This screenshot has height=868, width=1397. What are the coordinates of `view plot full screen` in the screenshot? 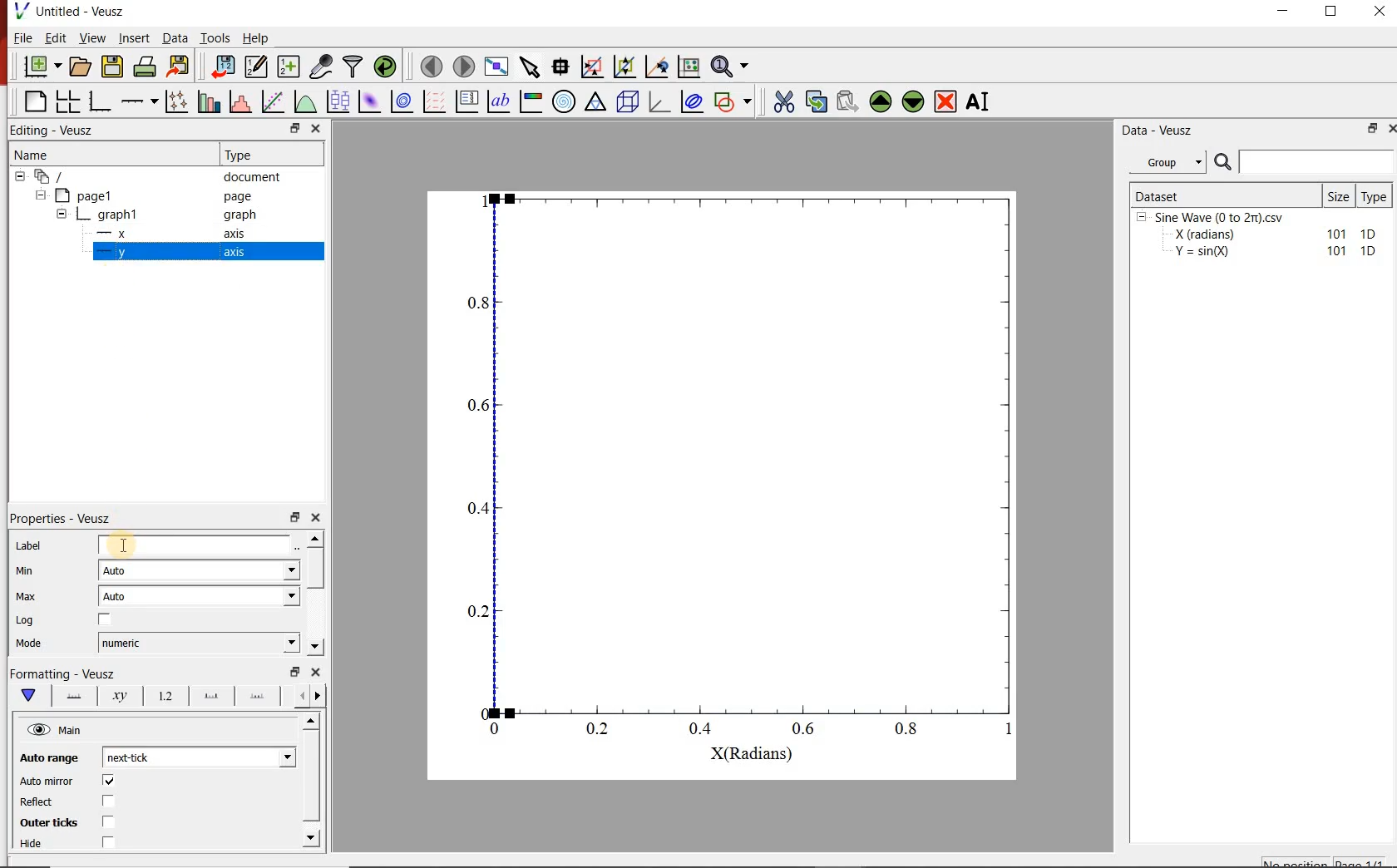 It's located at (496, 66).